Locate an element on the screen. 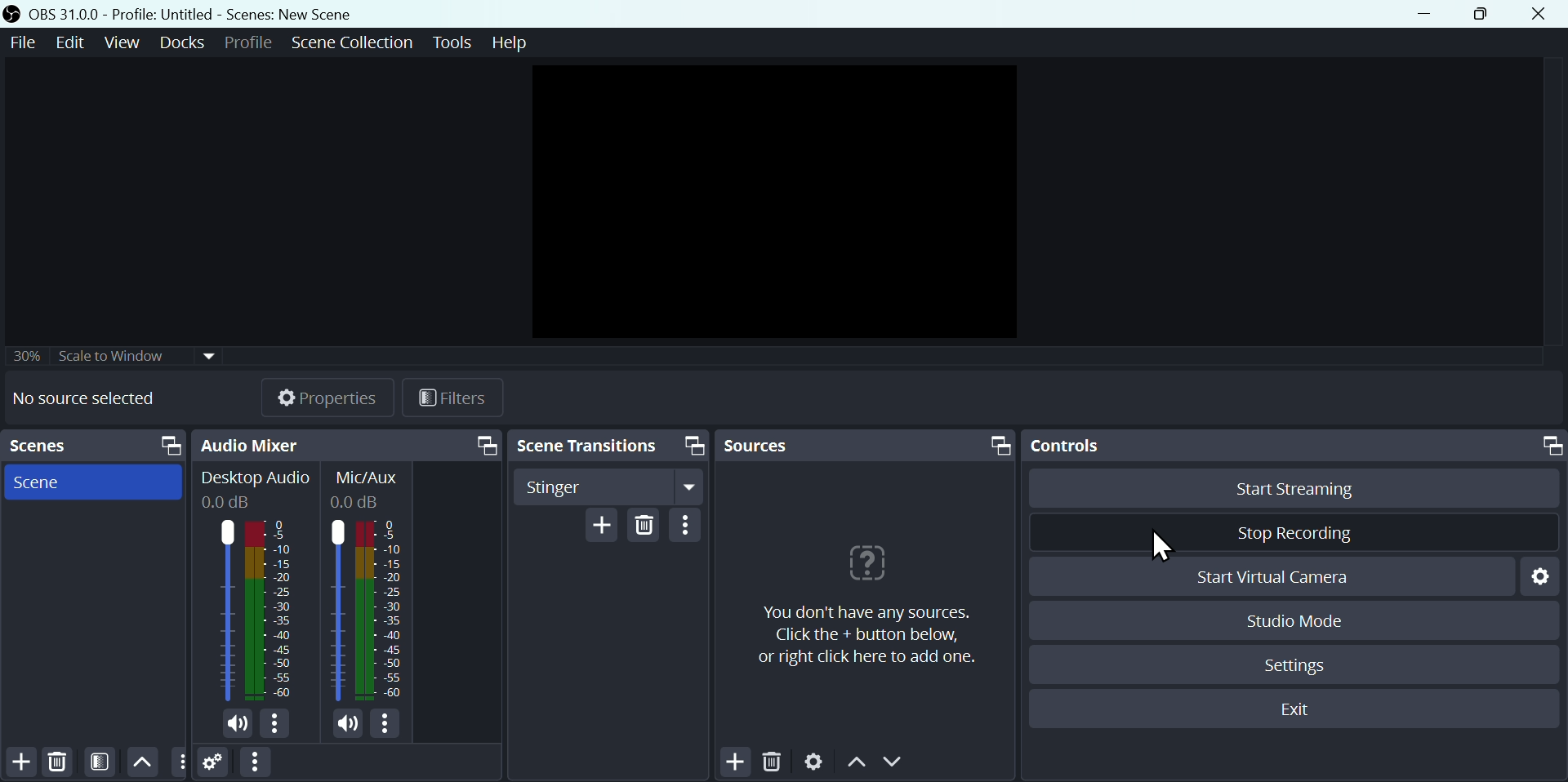 This screenshot has height=782, width=1568. icon is located at coordinates (867, 565).